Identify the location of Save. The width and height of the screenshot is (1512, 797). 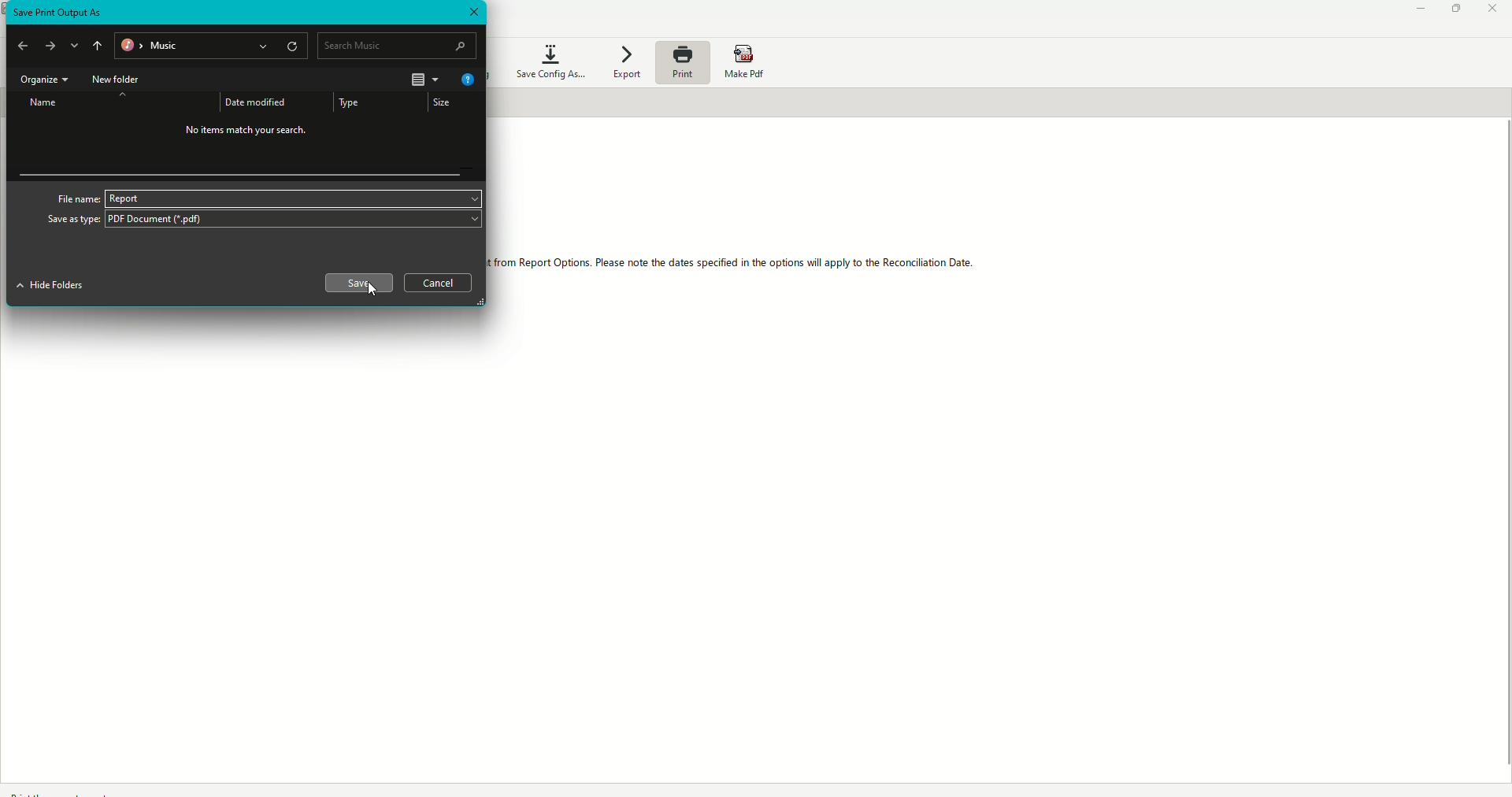
(357, 281).